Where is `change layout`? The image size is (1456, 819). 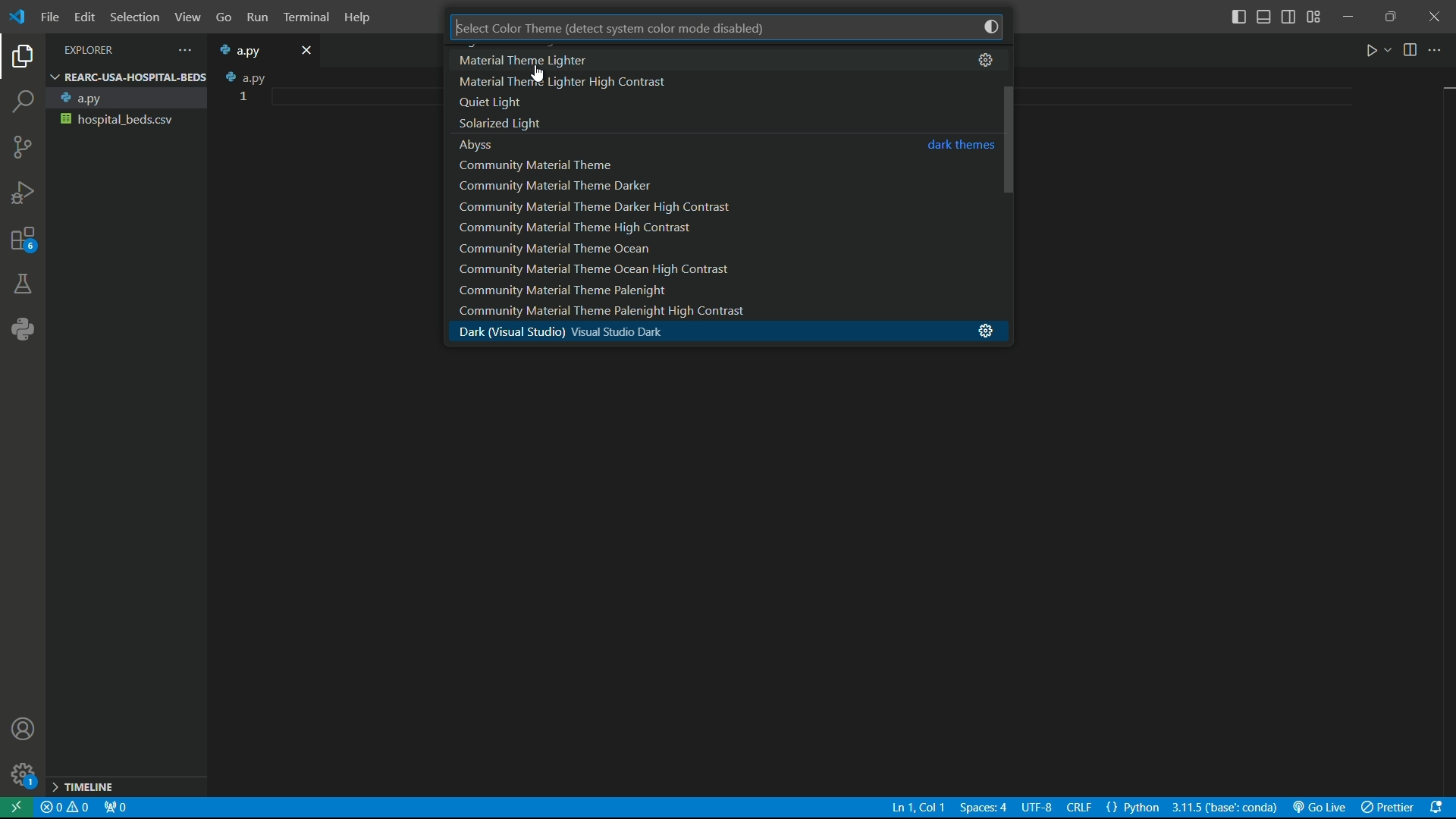 change layout is located at coordinates (1314, 17).